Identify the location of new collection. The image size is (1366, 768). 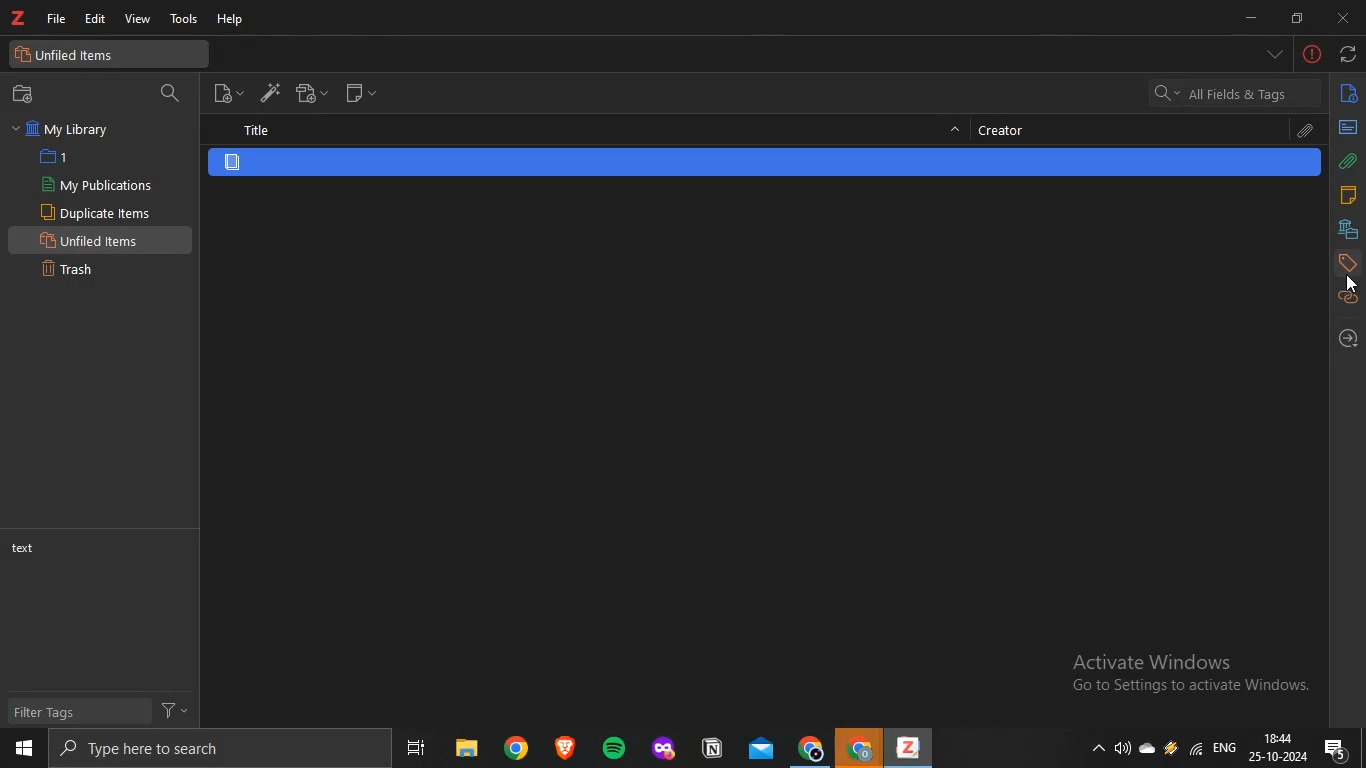
(29, 93).